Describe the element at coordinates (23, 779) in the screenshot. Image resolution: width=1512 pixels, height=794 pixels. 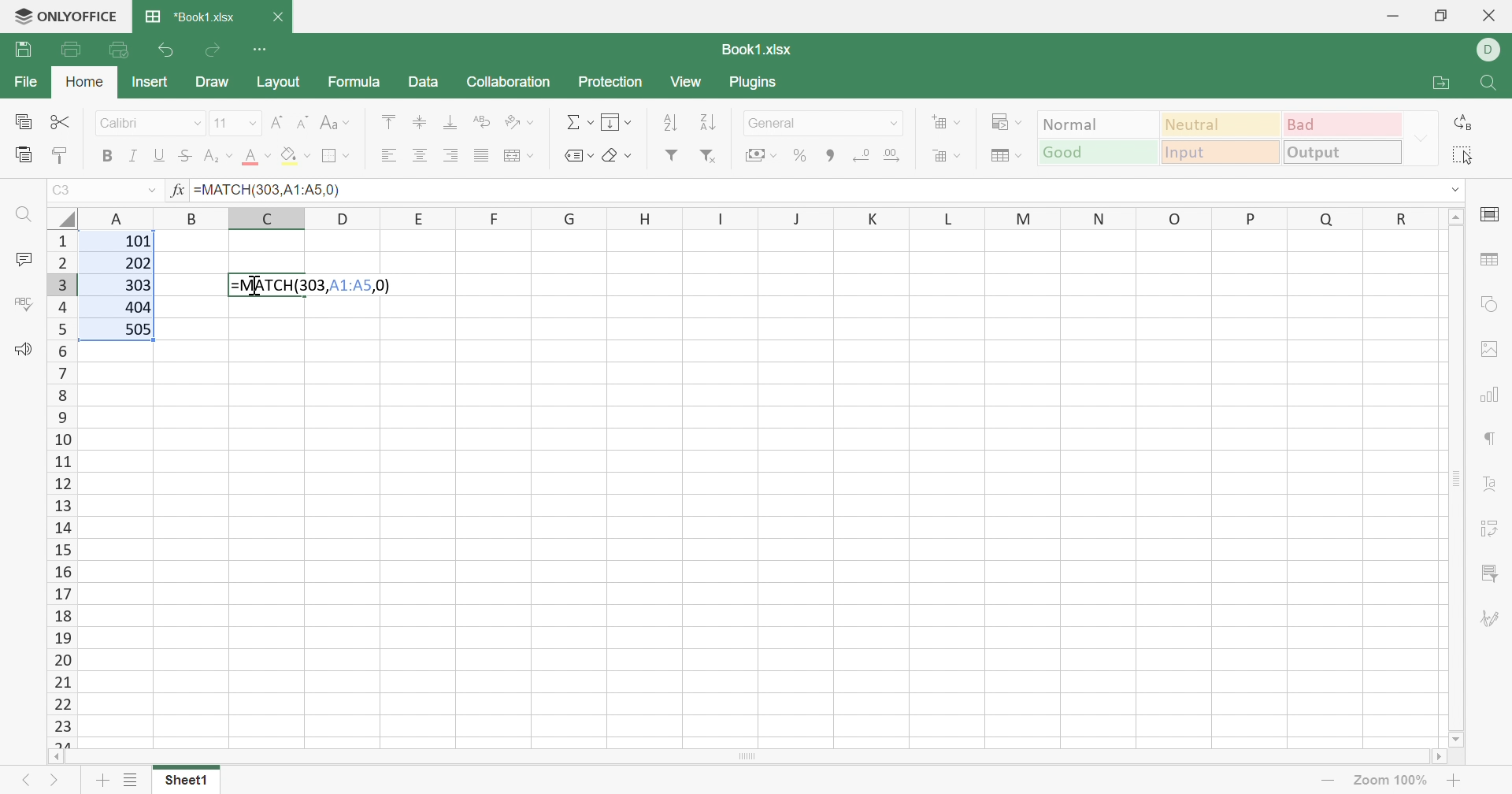
I see `Previous` at that location.